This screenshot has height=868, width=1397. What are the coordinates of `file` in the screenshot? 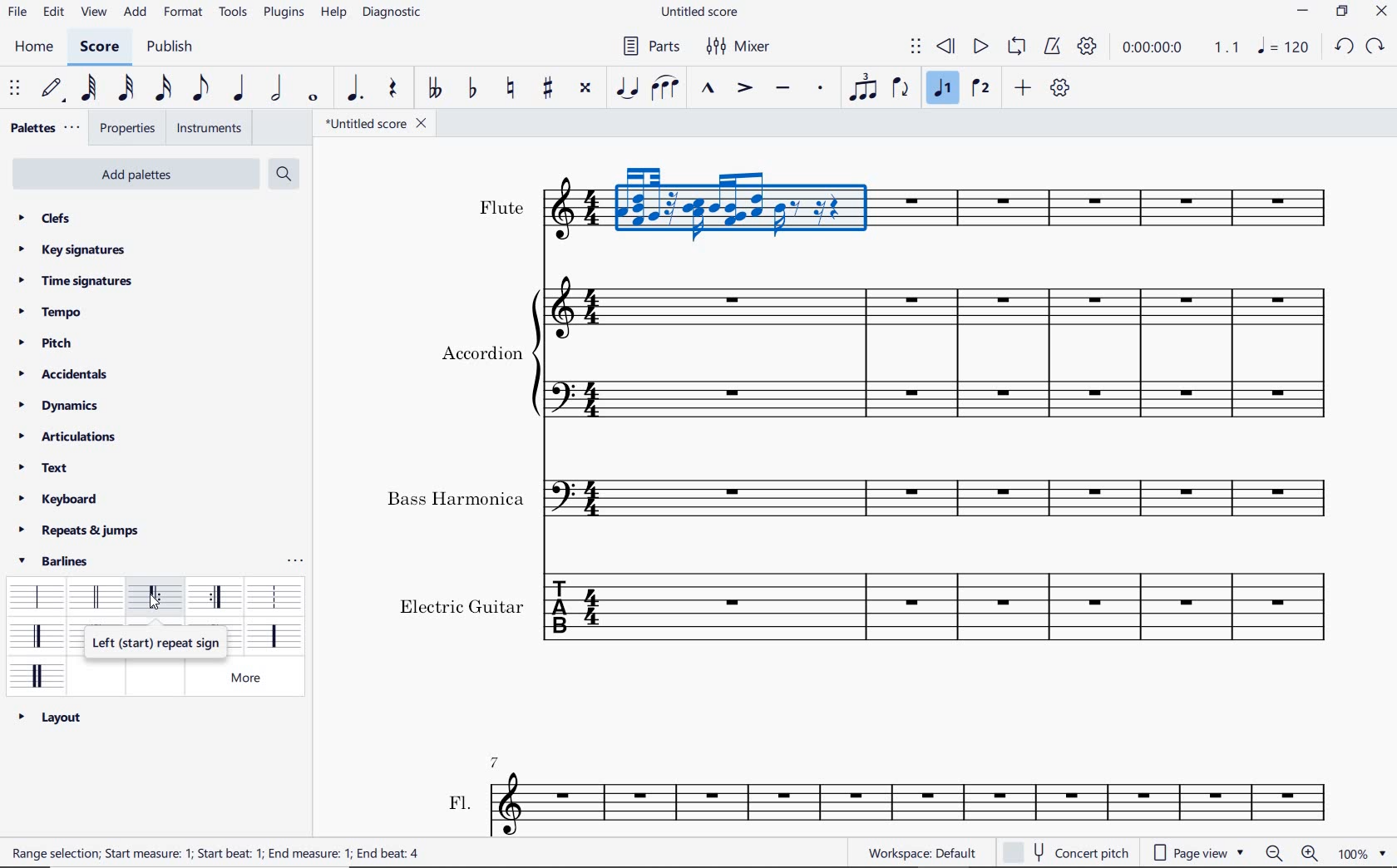 It's located at (16, 14).